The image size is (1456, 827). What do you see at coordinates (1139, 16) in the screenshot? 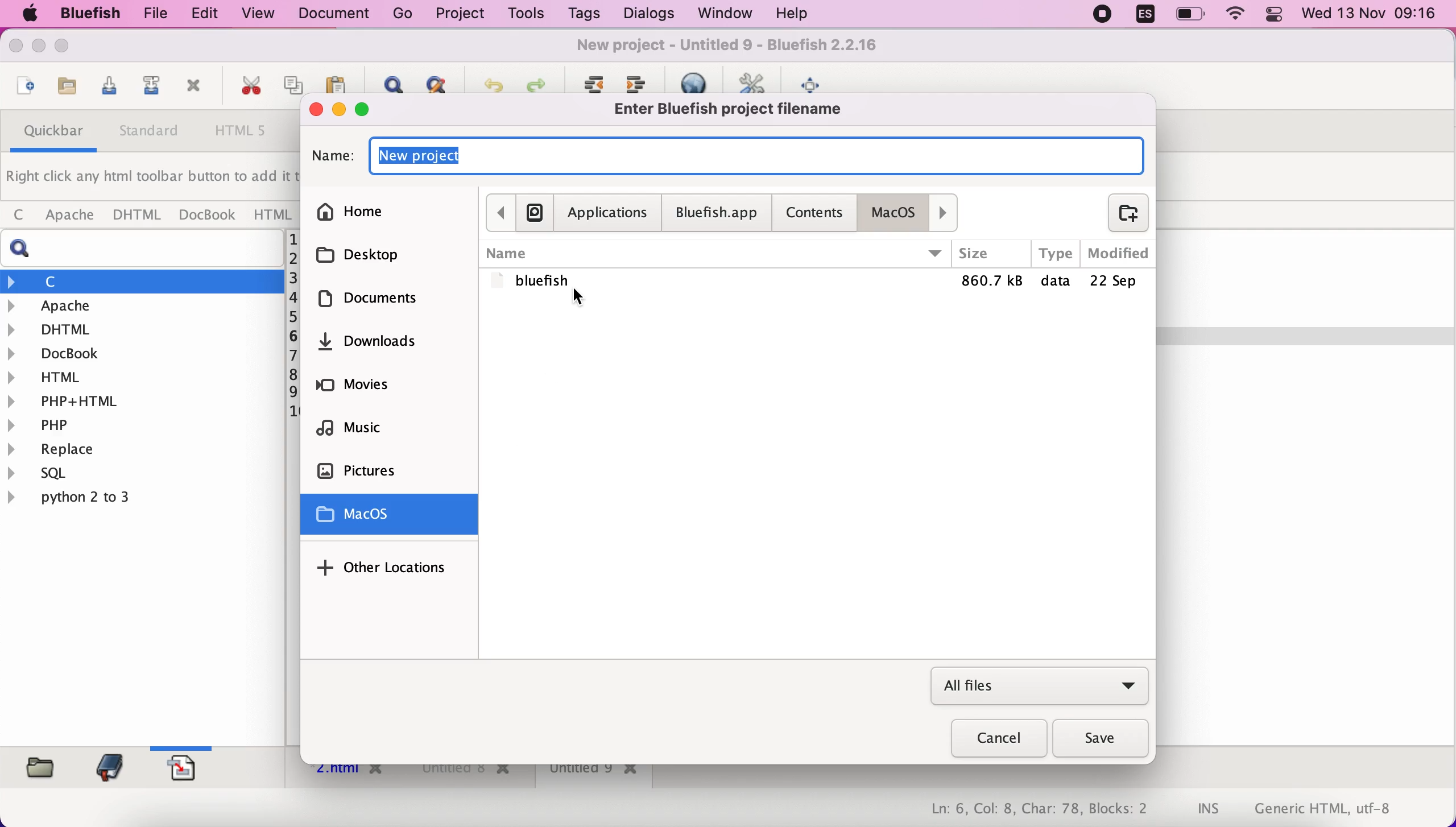
I see `language` at bounding box center [1139, 16].